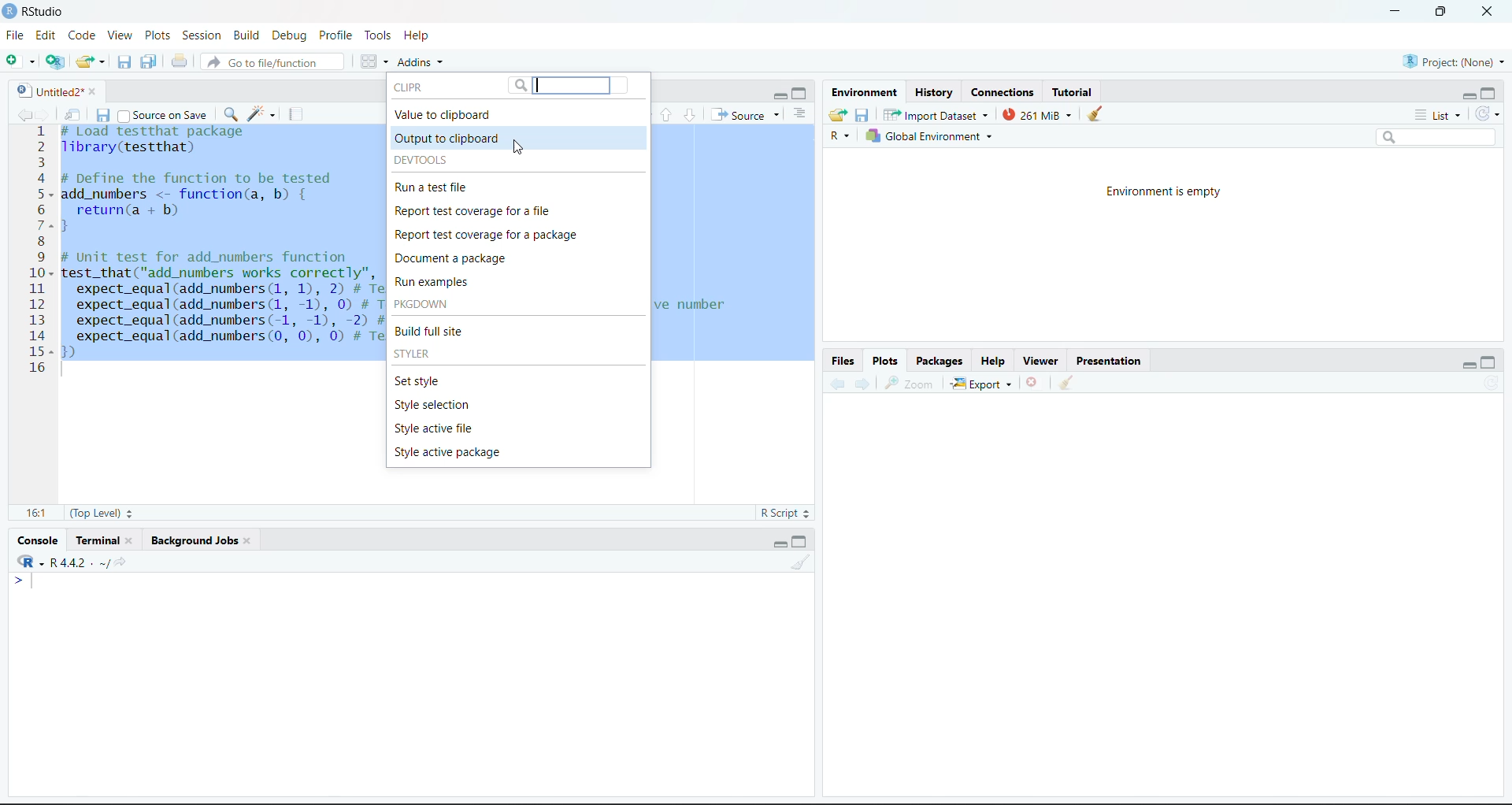 Image resolution: width=1512 pixels, height=805 pixels. What do you see at coordinates (375, 62) in the screenshot?
I see `Workspace panes` at bounding box center [375, 62].